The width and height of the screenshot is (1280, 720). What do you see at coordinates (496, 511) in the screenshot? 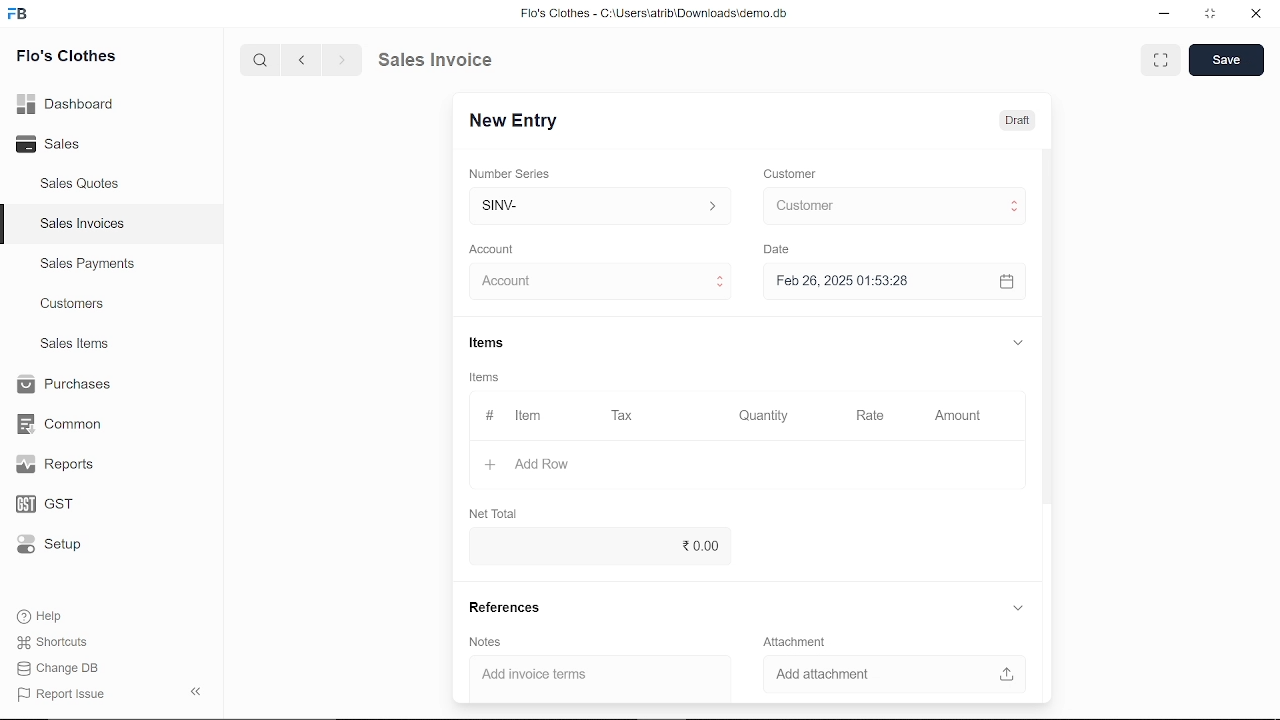
I see `Net Total` at bounding box center [496, 511].